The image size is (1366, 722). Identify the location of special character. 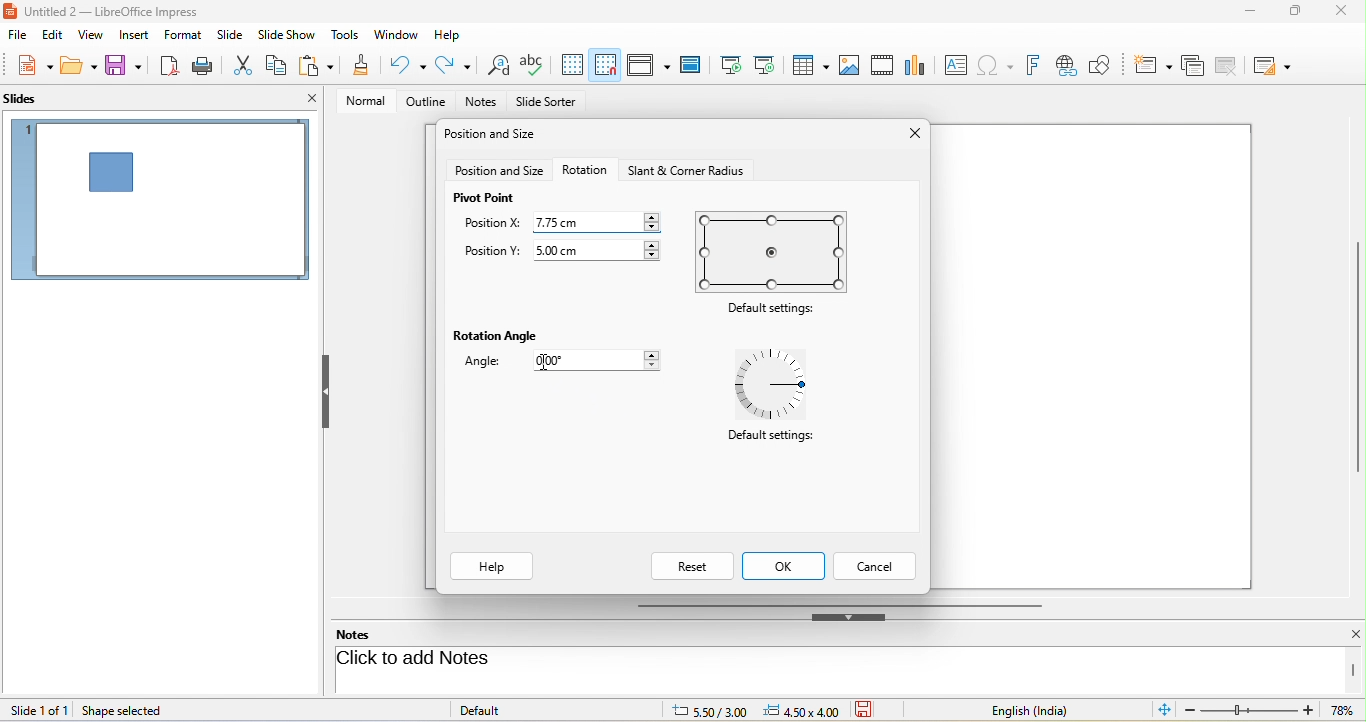
(999, 65).